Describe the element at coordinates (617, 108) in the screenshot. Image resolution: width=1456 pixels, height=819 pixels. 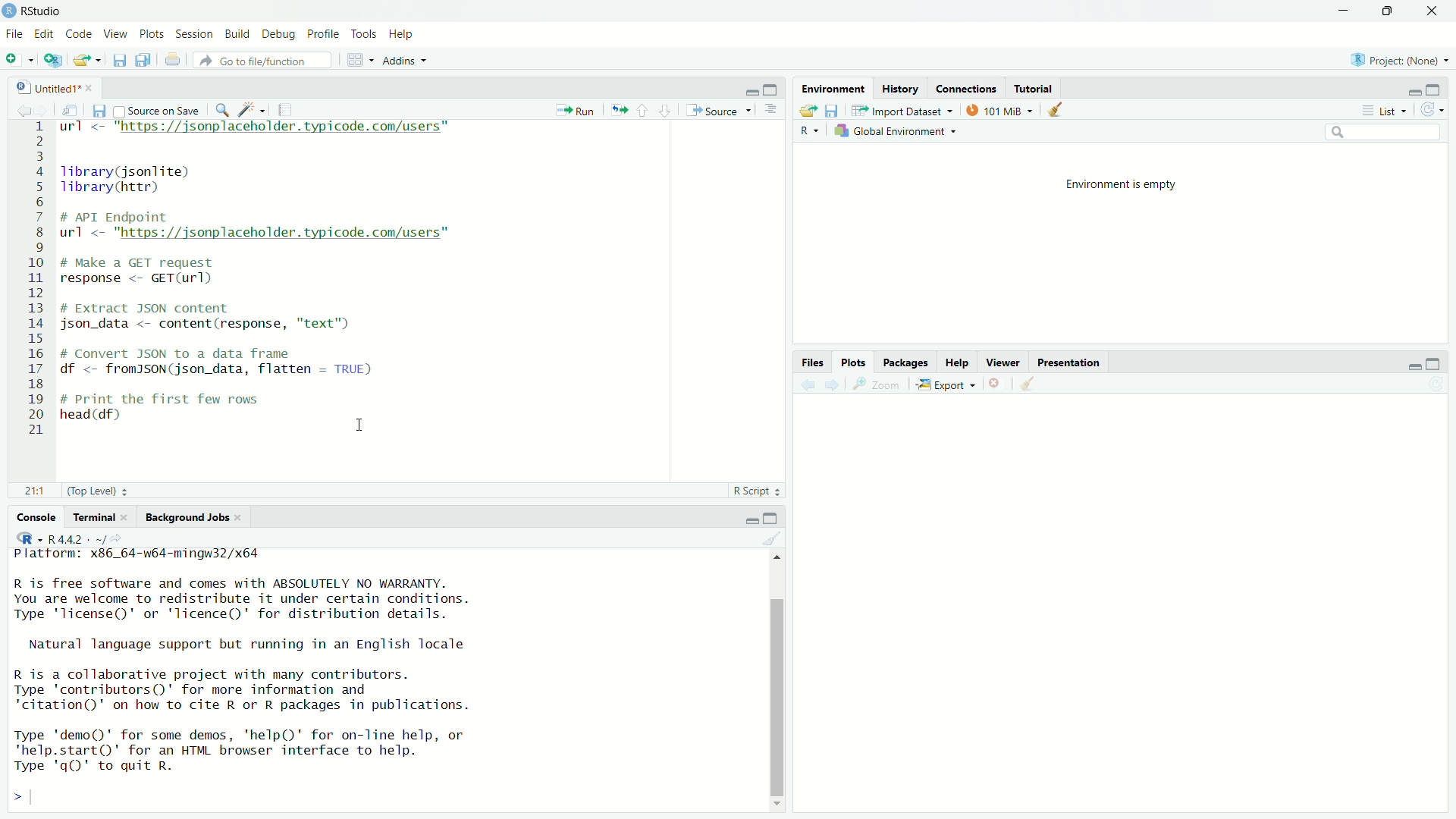
I see `Re-run` at that location.